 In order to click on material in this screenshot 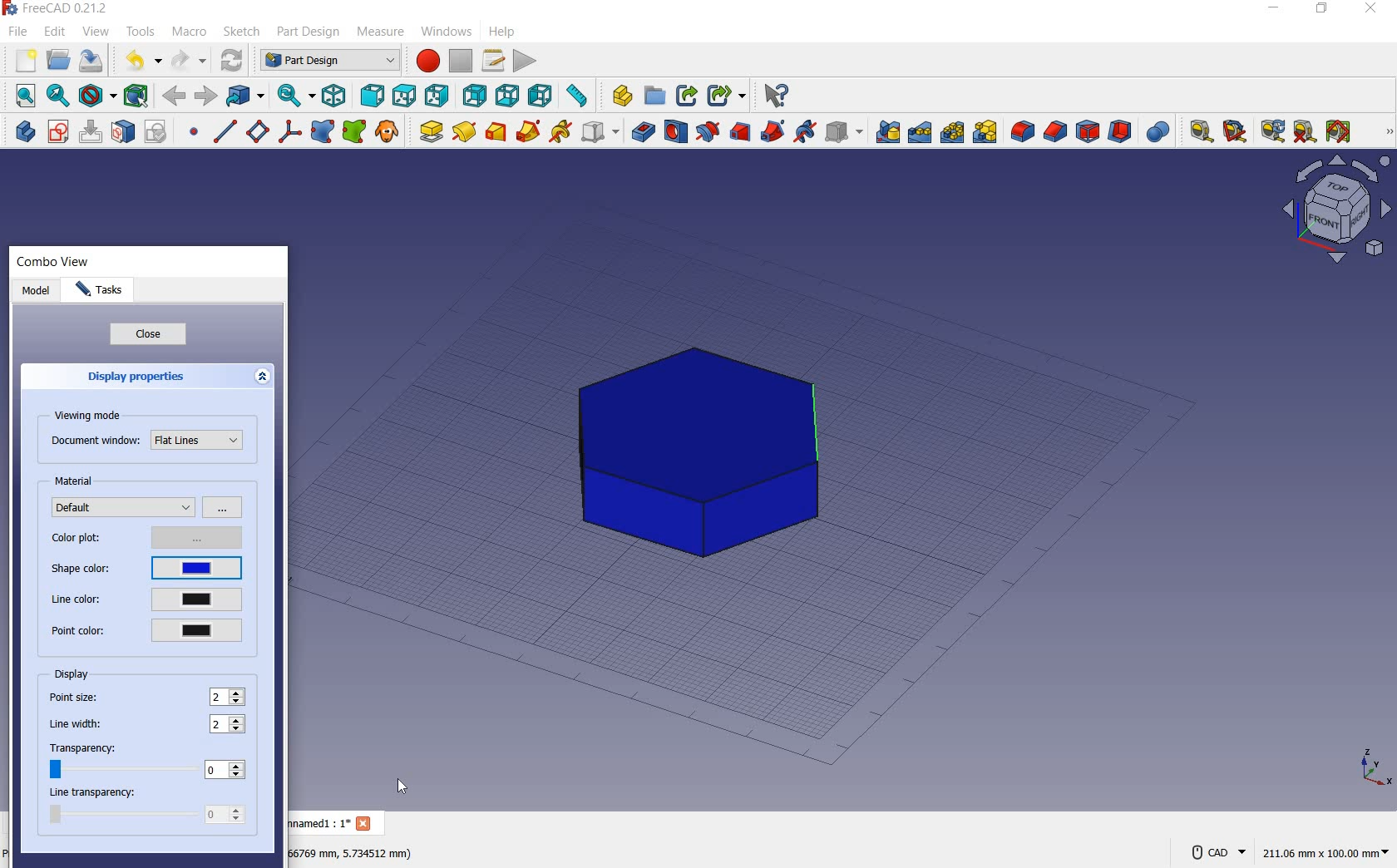, I will do `click(80, 479)`.